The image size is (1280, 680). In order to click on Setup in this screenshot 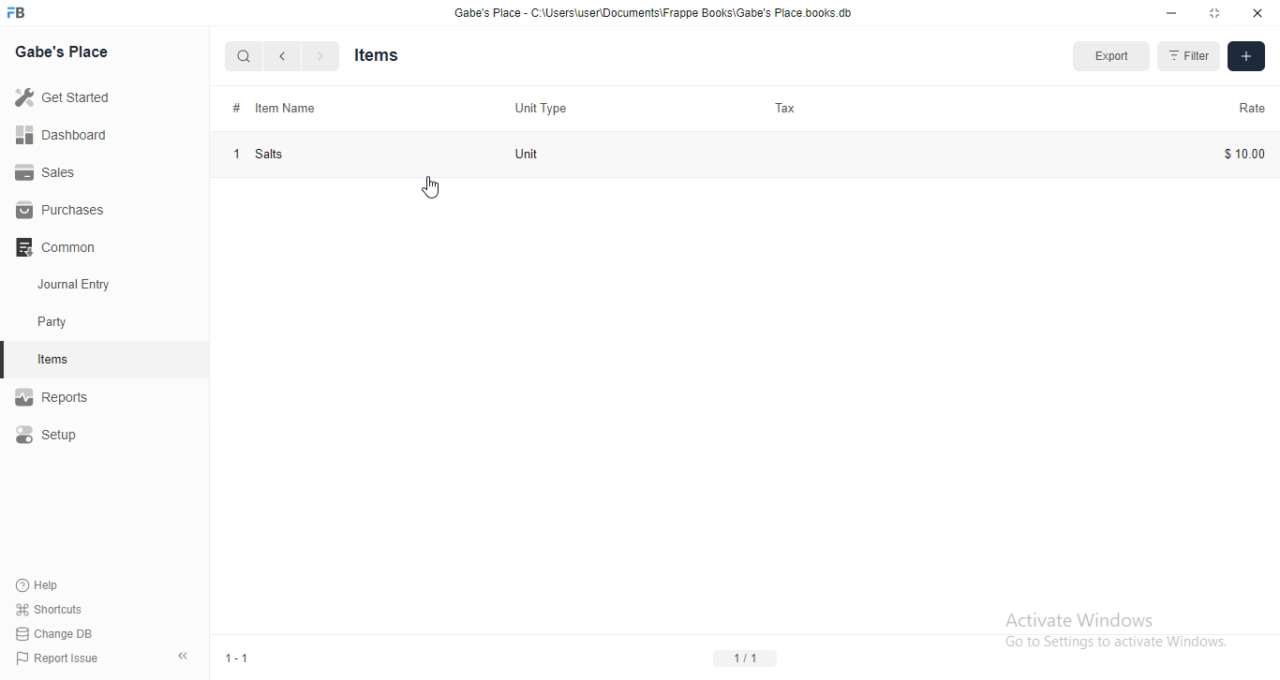, I will do `click(50, 437)`.